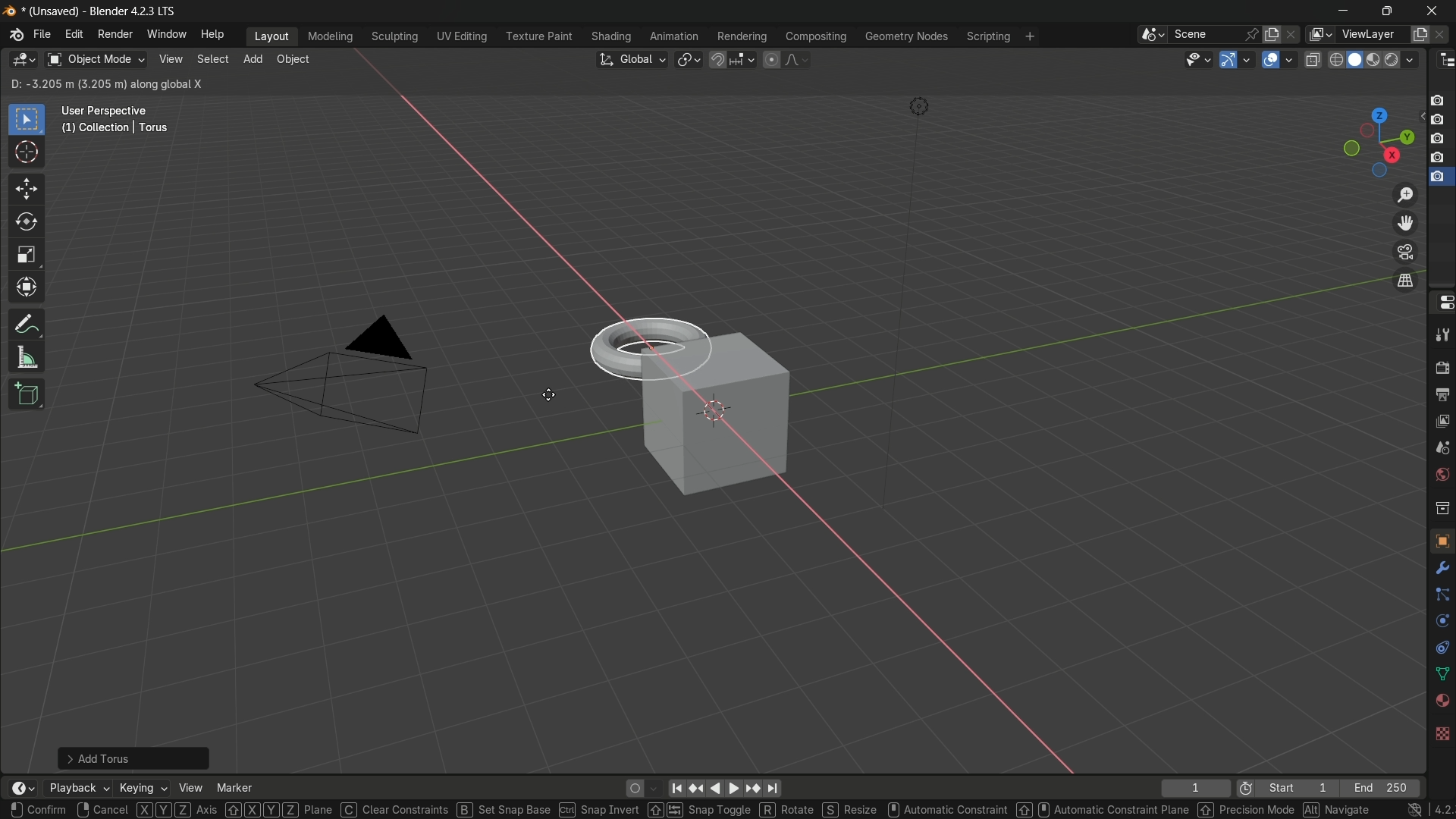  Describe the element at coordinates (77, 788) in the screenshot. I see `playback` at that location.